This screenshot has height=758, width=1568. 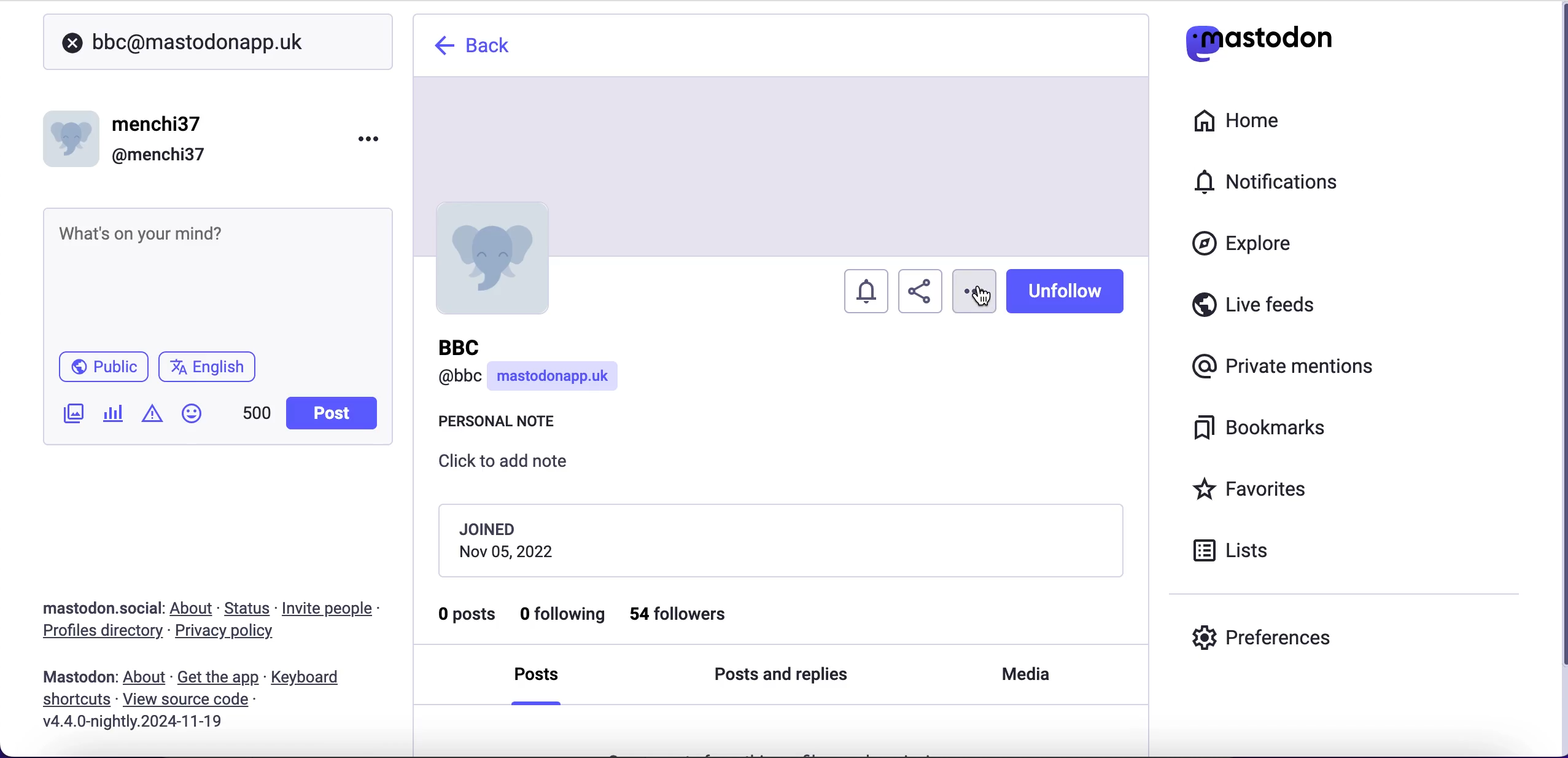 I want to click on cursor, so click(x=977, y=299).